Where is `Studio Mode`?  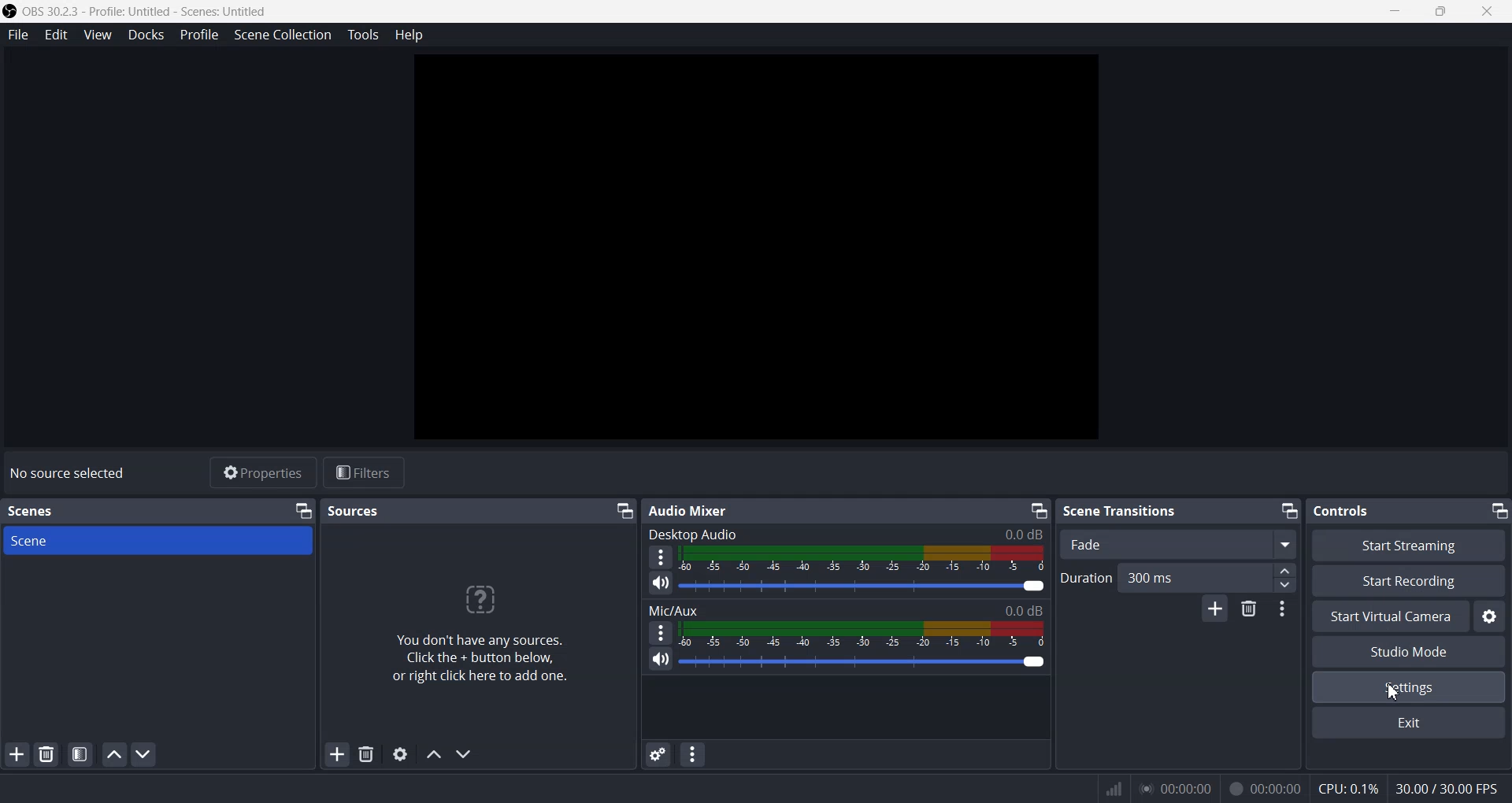 Studio Mode is located at coordinates (1407, 652).